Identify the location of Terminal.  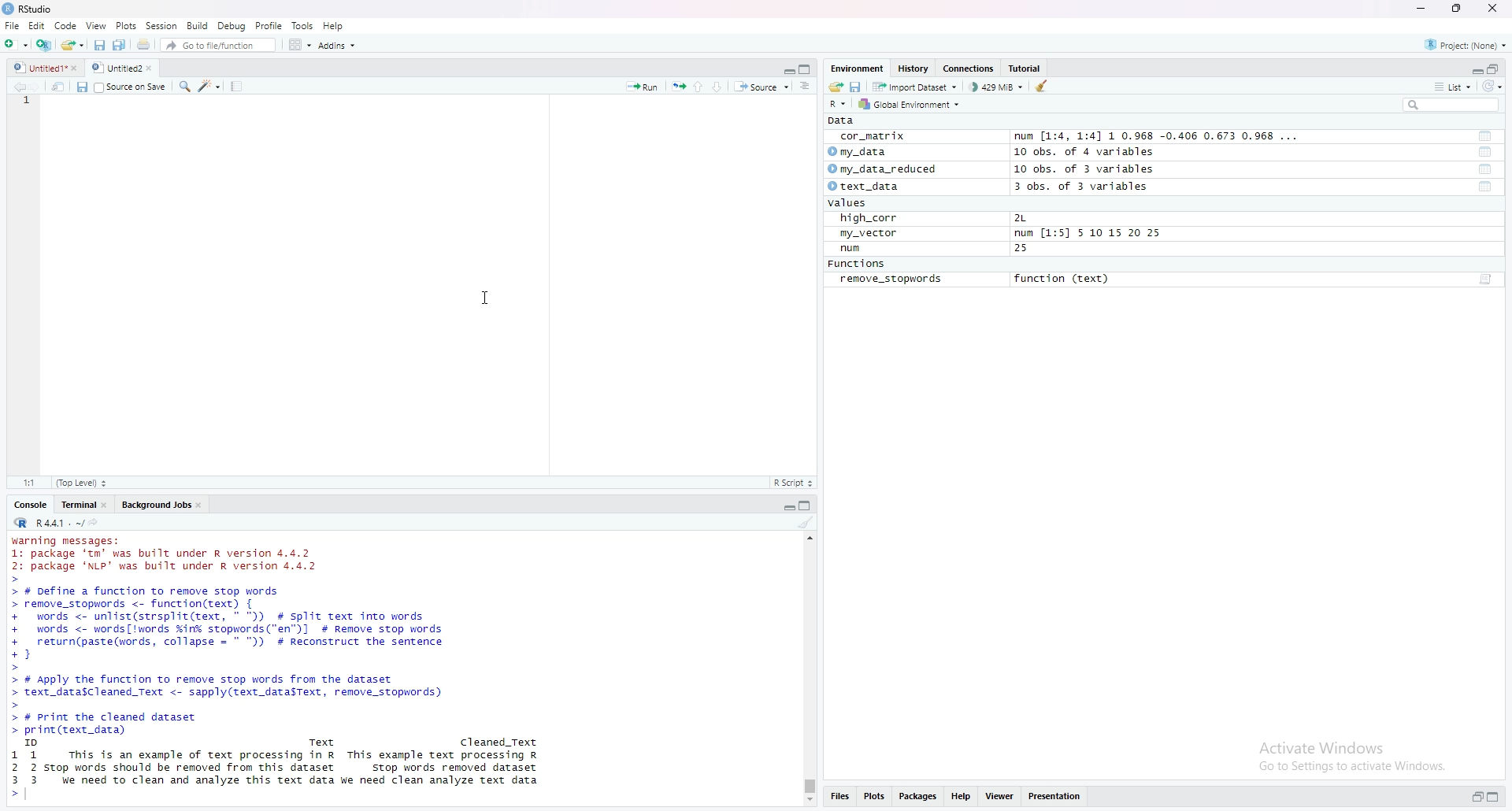
(83, 505).